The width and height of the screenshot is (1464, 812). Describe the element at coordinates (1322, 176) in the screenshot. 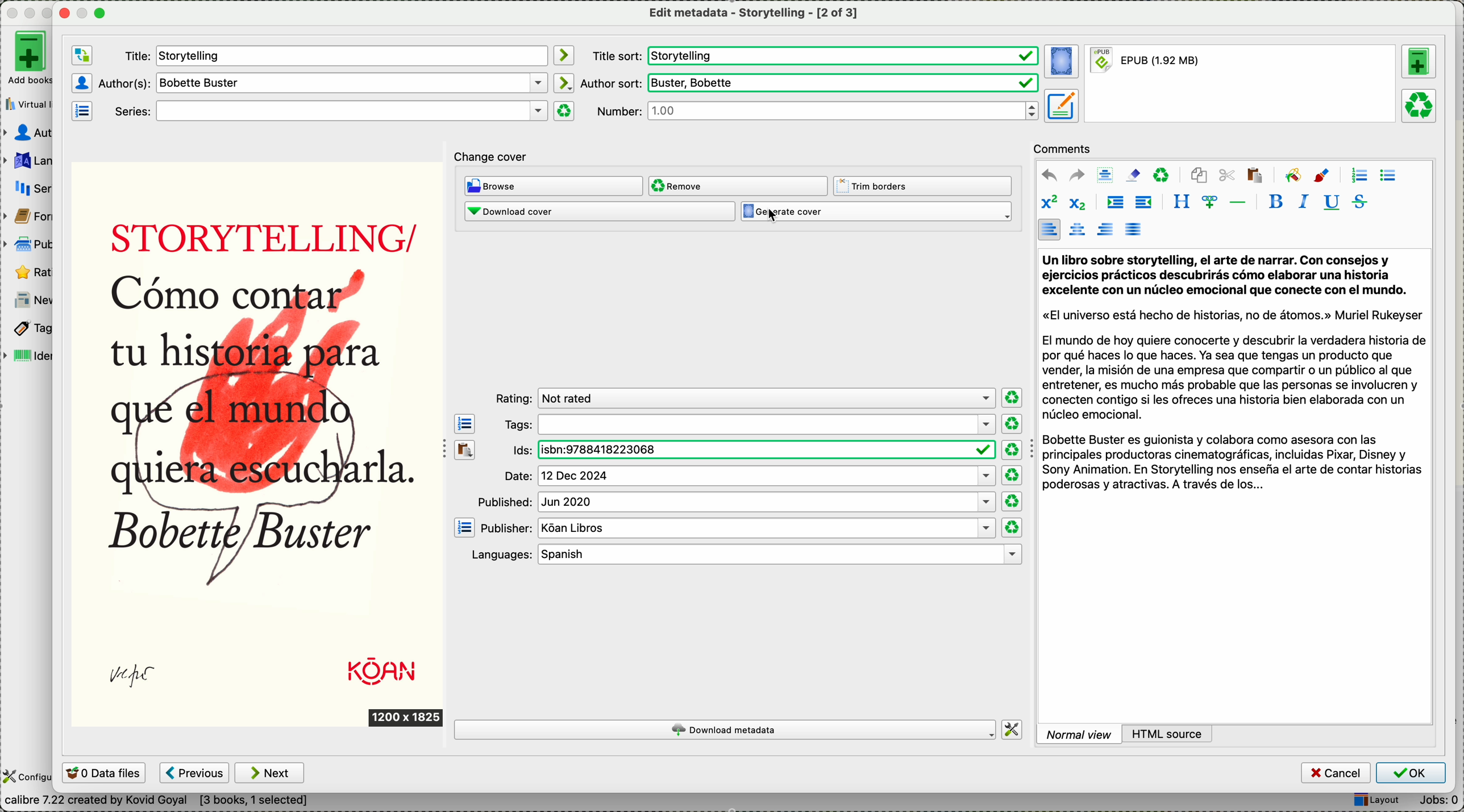

I see `icon` at that location.